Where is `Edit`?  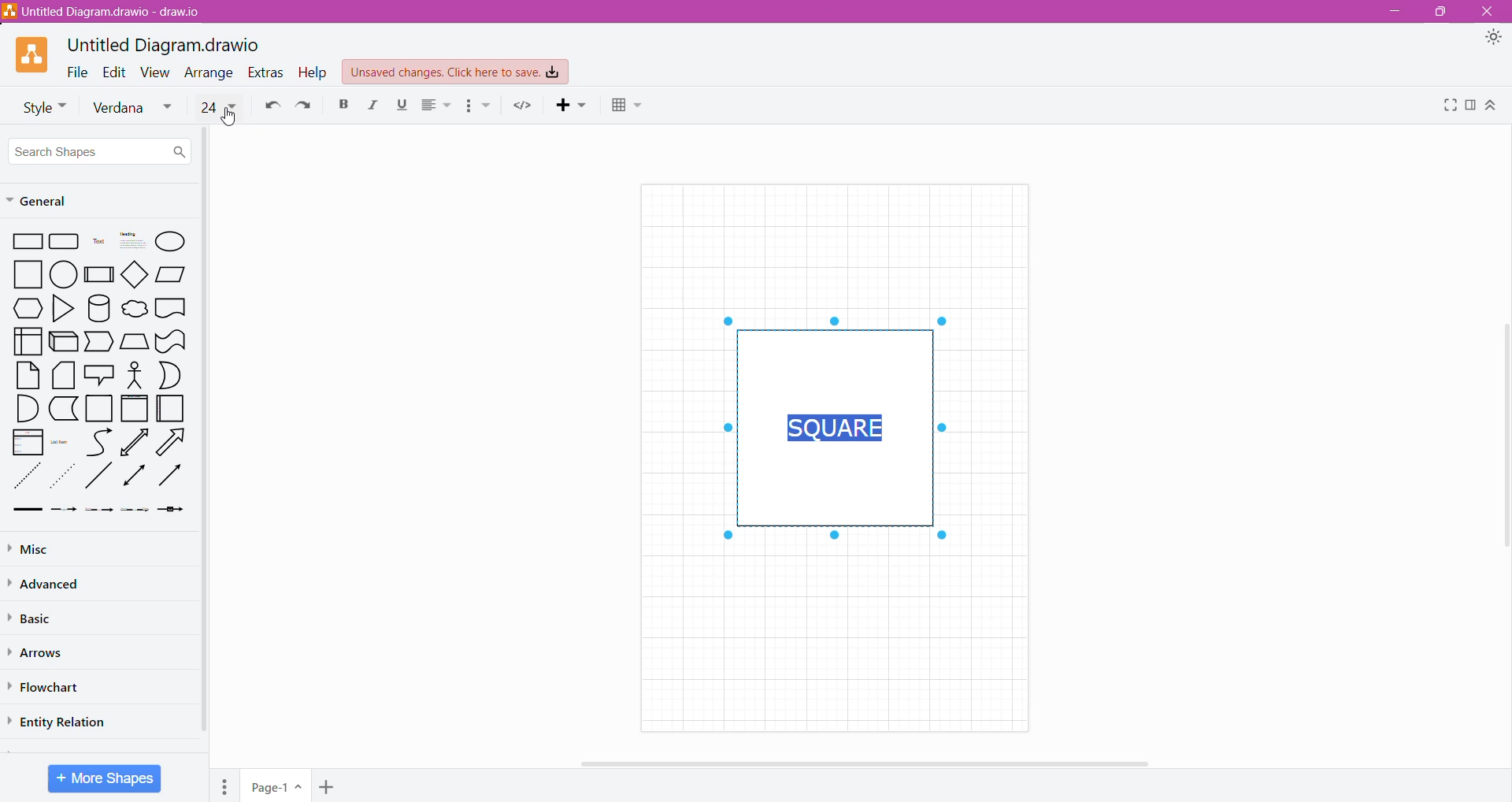 Edit is located at coordinates (117, 72).